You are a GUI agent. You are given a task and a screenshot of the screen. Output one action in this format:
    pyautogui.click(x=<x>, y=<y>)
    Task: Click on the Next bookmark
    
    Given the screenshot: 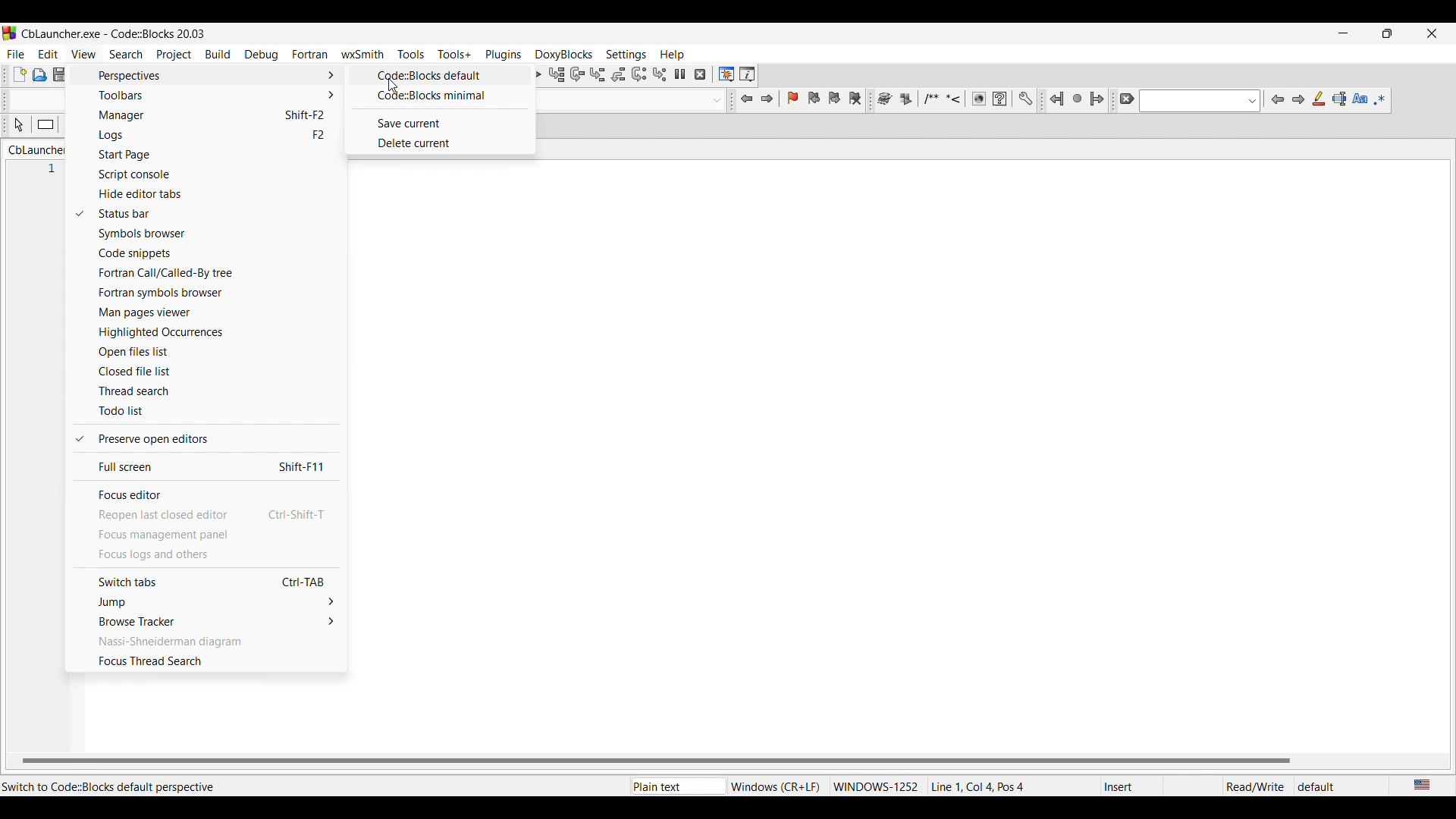 What is the action you would take?
    pyautogui.click(x=834, y=98)
    